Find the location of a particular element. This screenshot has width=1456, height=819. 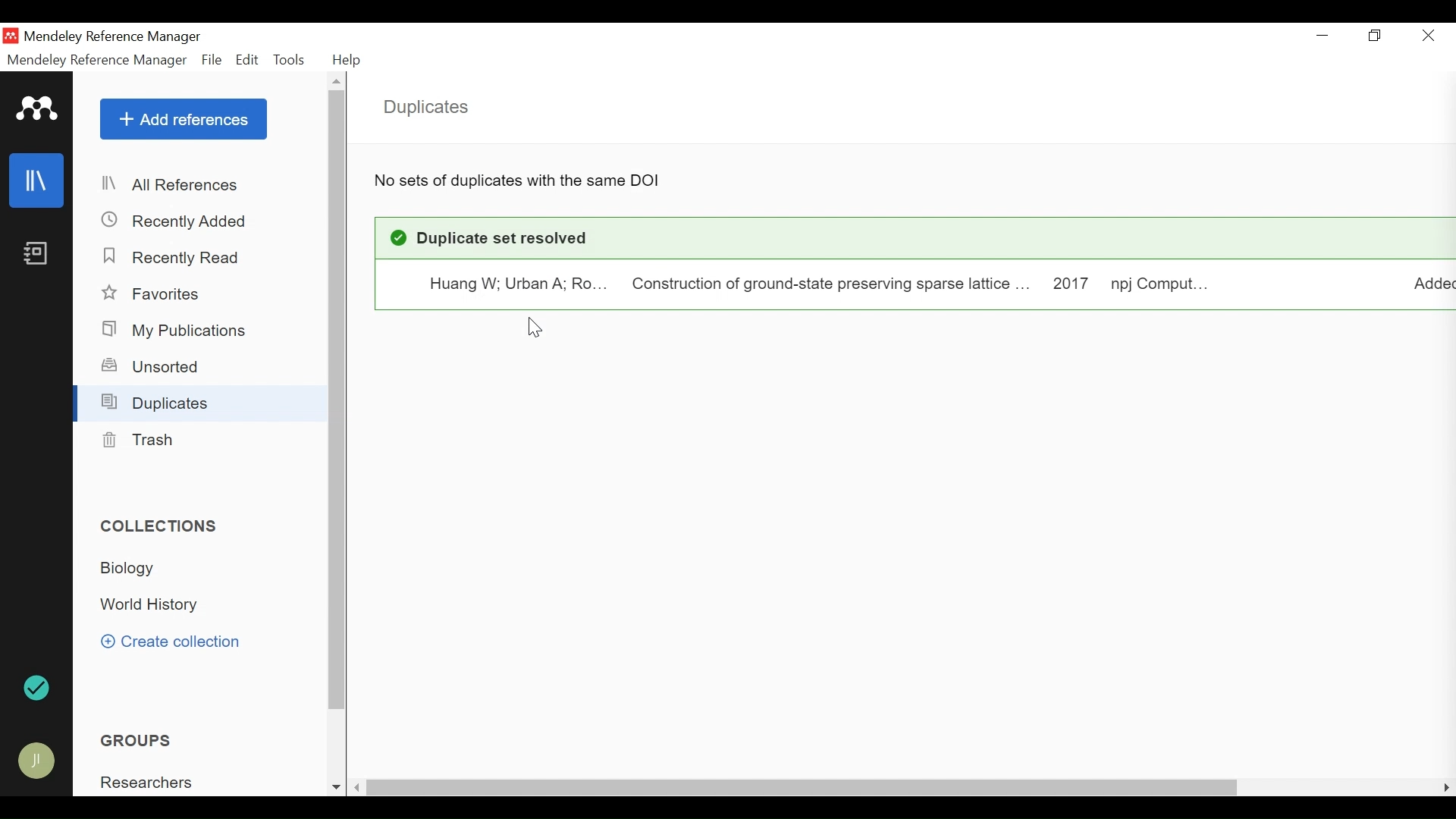

Scroll up is located at coordinates (337, 83).